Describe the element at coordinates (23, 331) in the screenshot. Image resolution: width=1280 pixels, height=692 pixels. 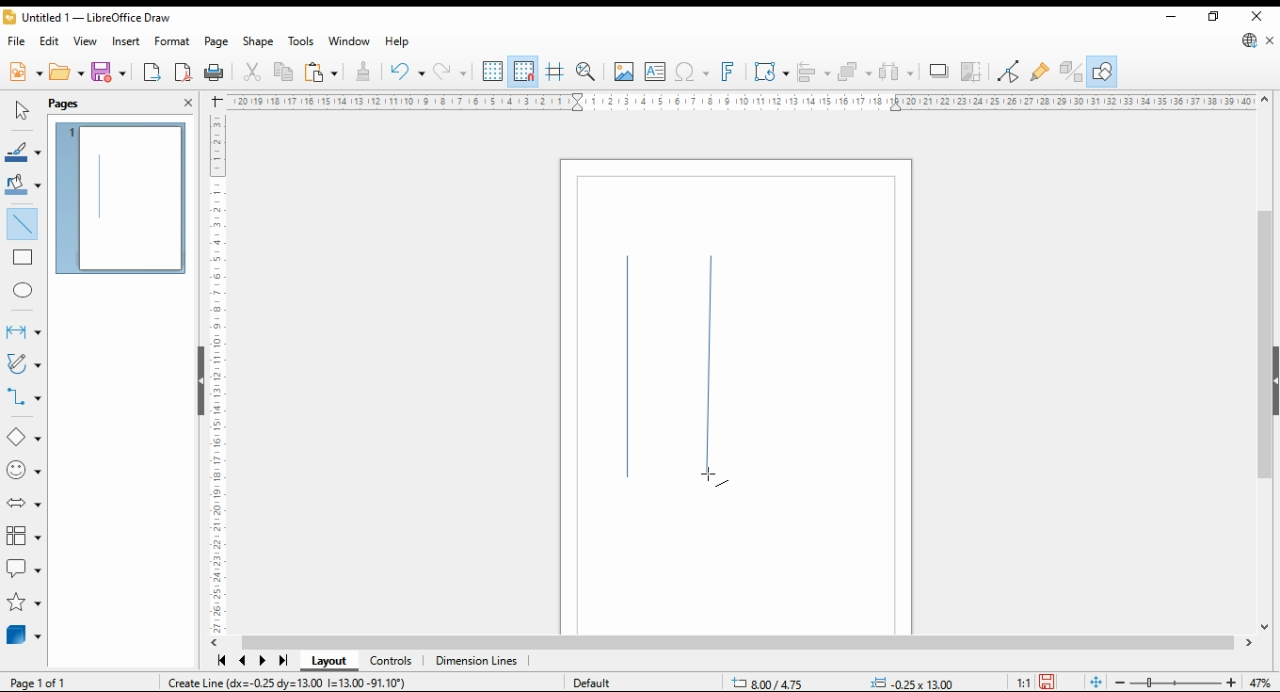
I see `lines and arrows` at that location.